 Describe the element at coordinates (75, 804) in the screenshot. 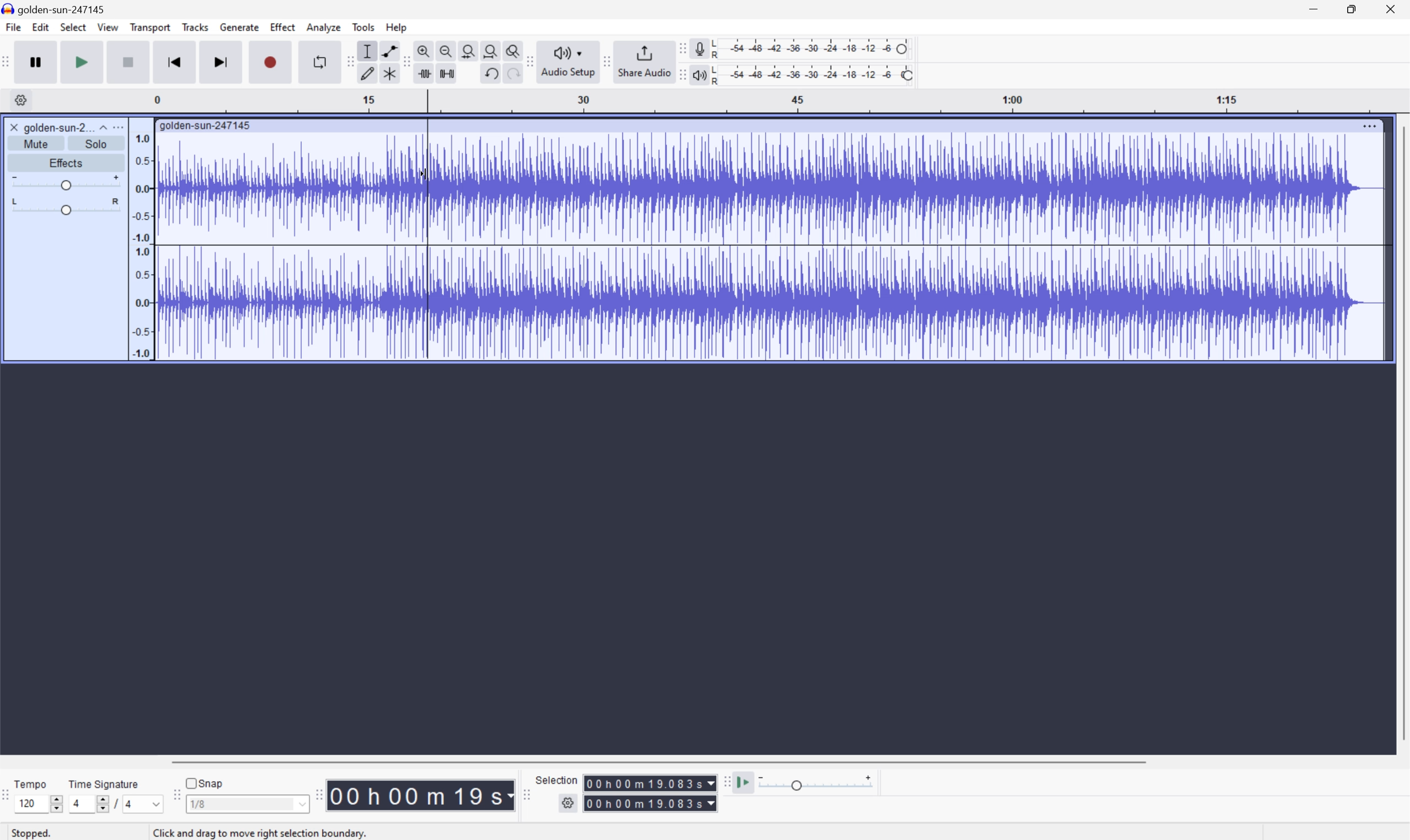

I see `4` at that location.